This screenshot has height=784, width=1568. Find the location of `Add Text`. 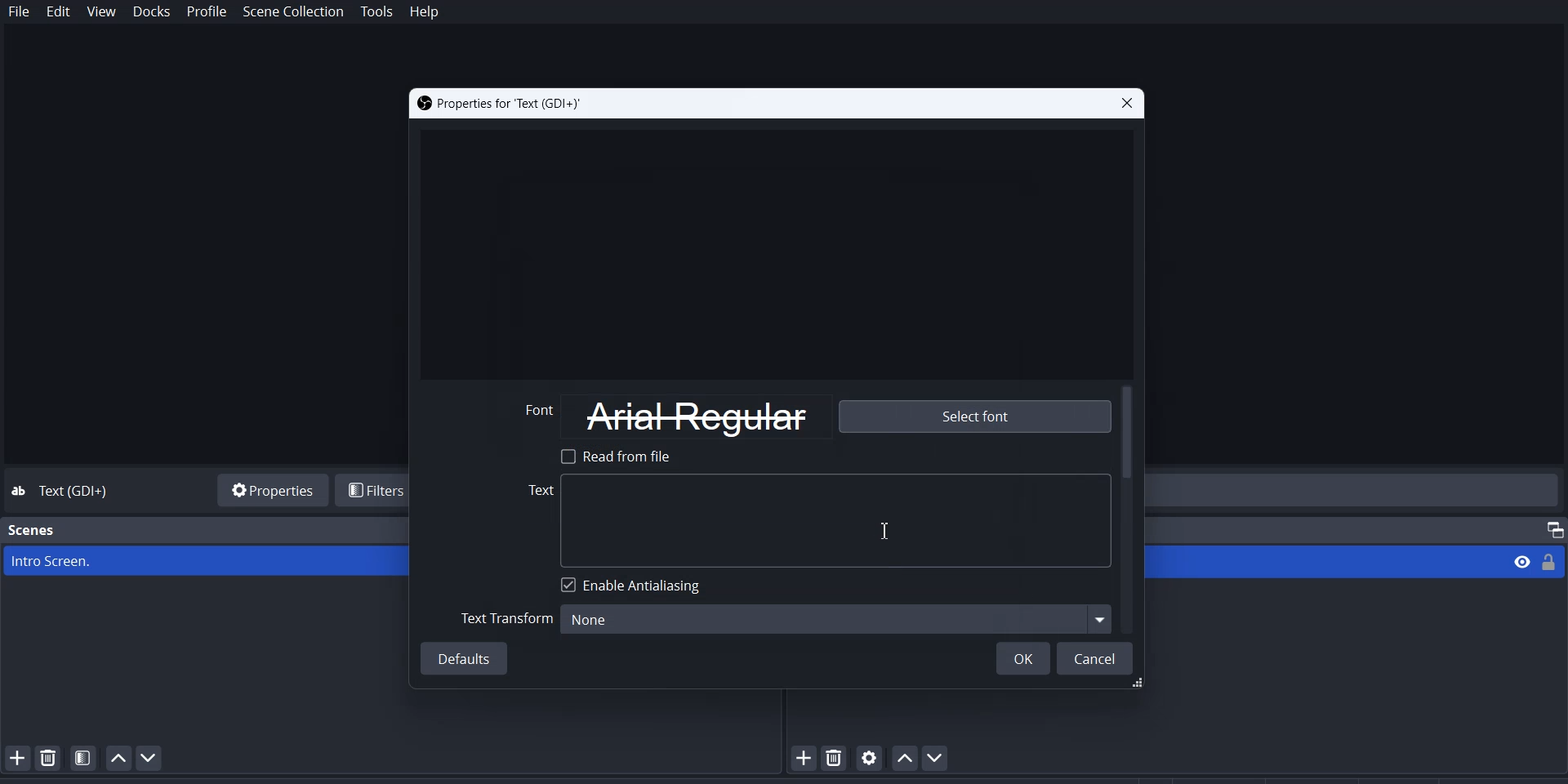

Add Text is located at coordinates (819, 520).